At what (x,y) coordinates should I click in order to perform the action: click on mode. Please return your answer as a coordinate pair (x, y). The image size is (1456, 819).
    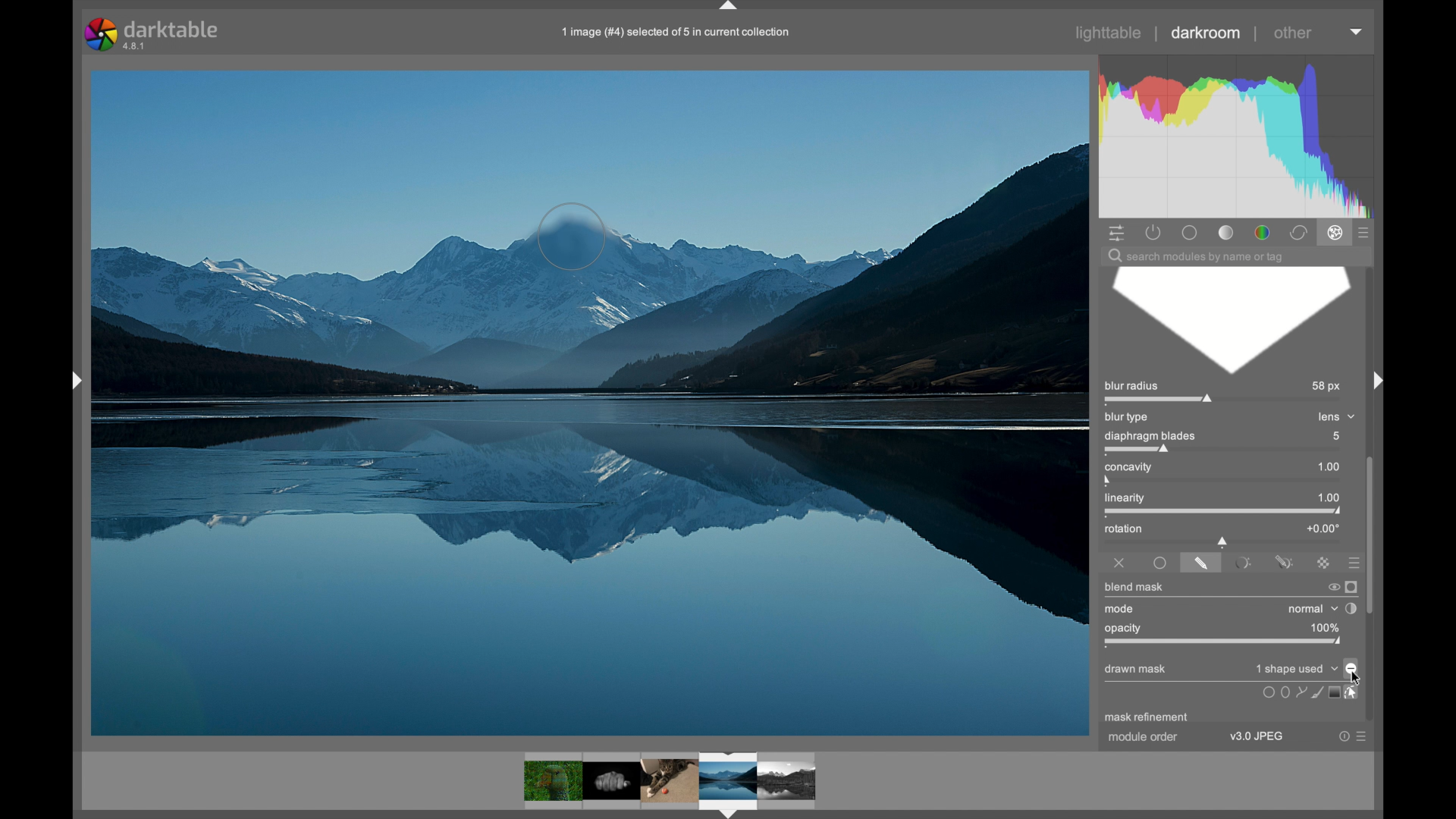
    Looking at the image, I should click on (1119, 609).